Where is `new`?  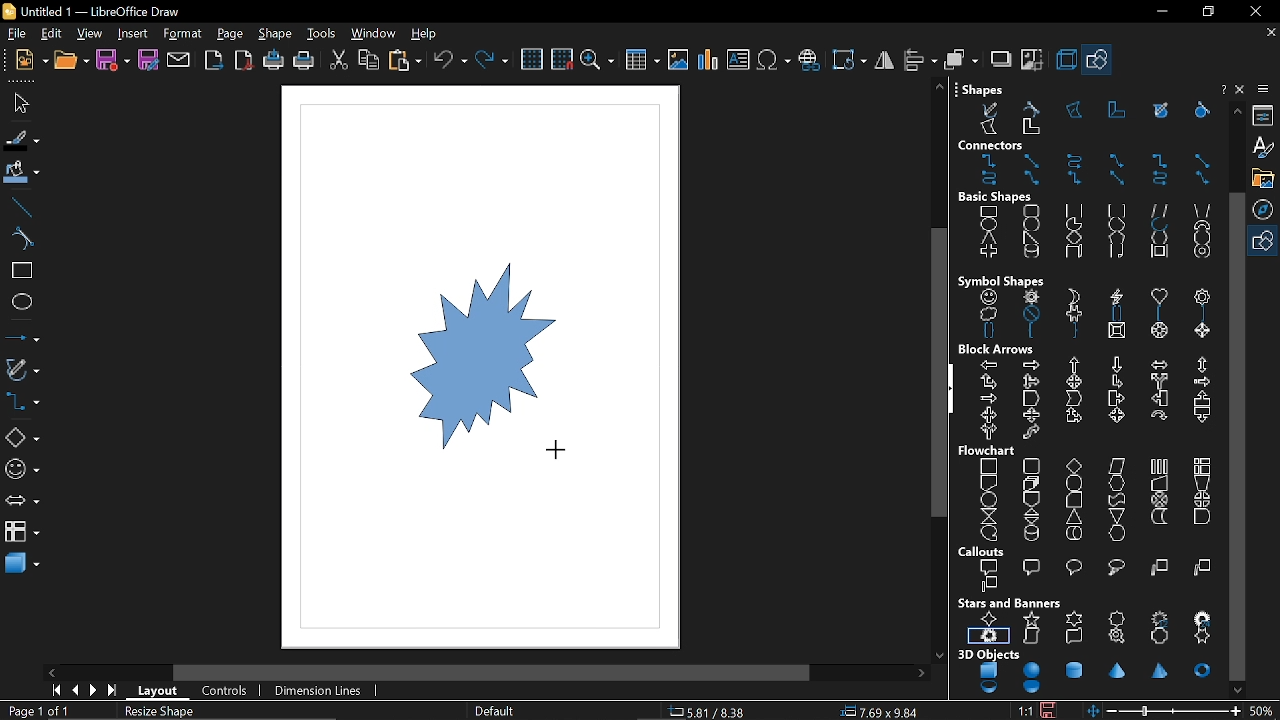
new is located at coordinates (31, 61).